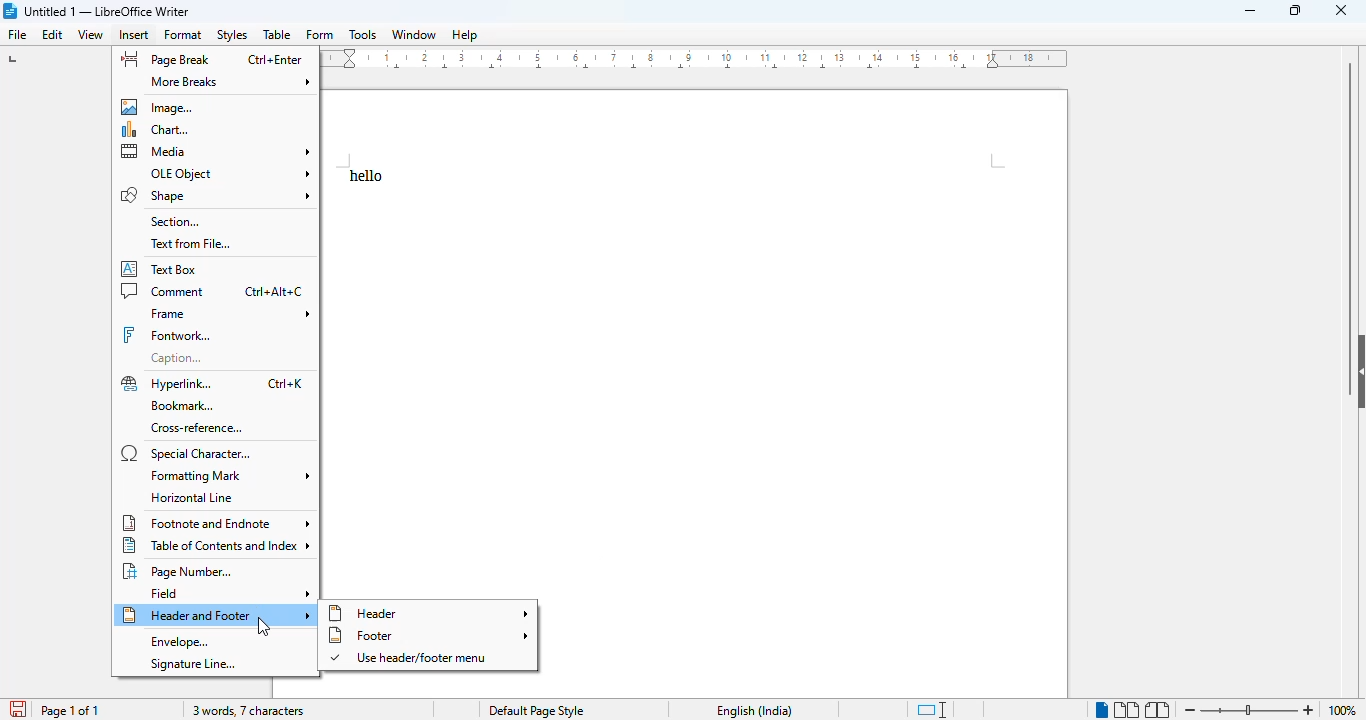 This screenshot has width=1366, height=720. Describe the element at coordinates (411, 658) in the screenshot. I see `use header/footer menu` at that location.